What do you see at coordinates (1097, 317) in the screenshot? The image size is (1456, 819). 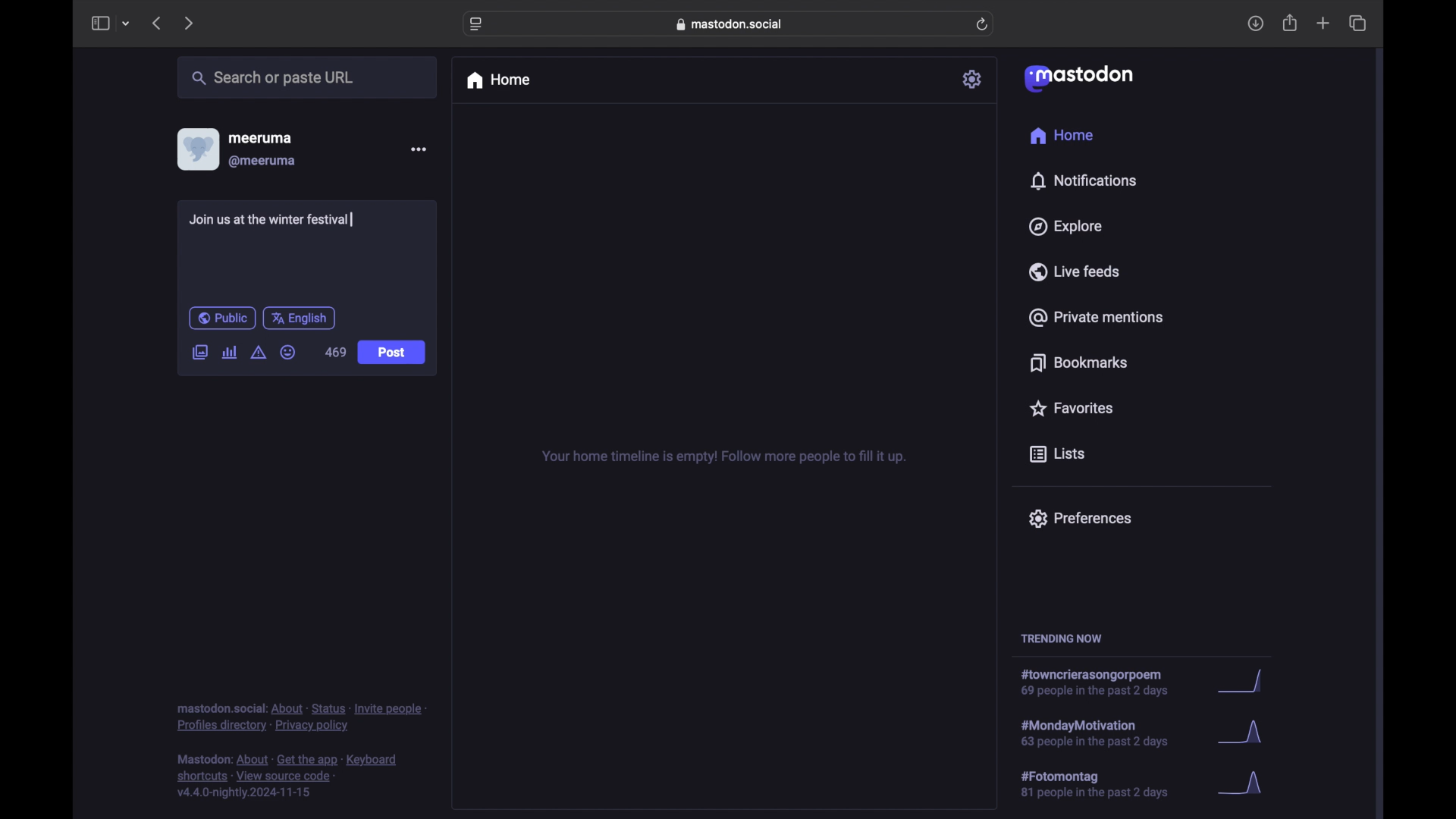 I see `private mentions` at bounding box center [1097, 317].